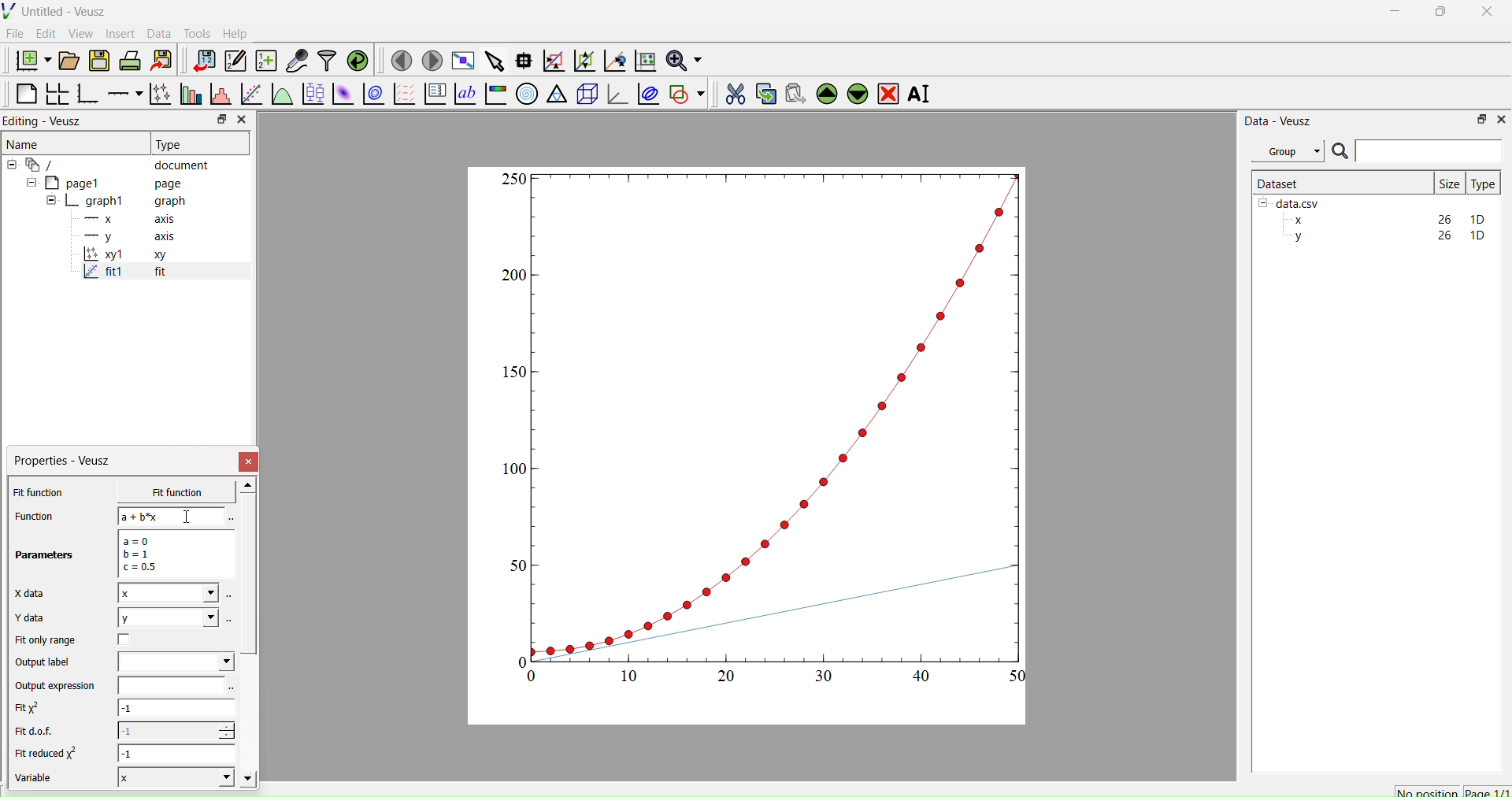  What do you see at coordinates (643, 60) in the screenshot?
I see `Reset graph axis` at bounding box center [643, 60].